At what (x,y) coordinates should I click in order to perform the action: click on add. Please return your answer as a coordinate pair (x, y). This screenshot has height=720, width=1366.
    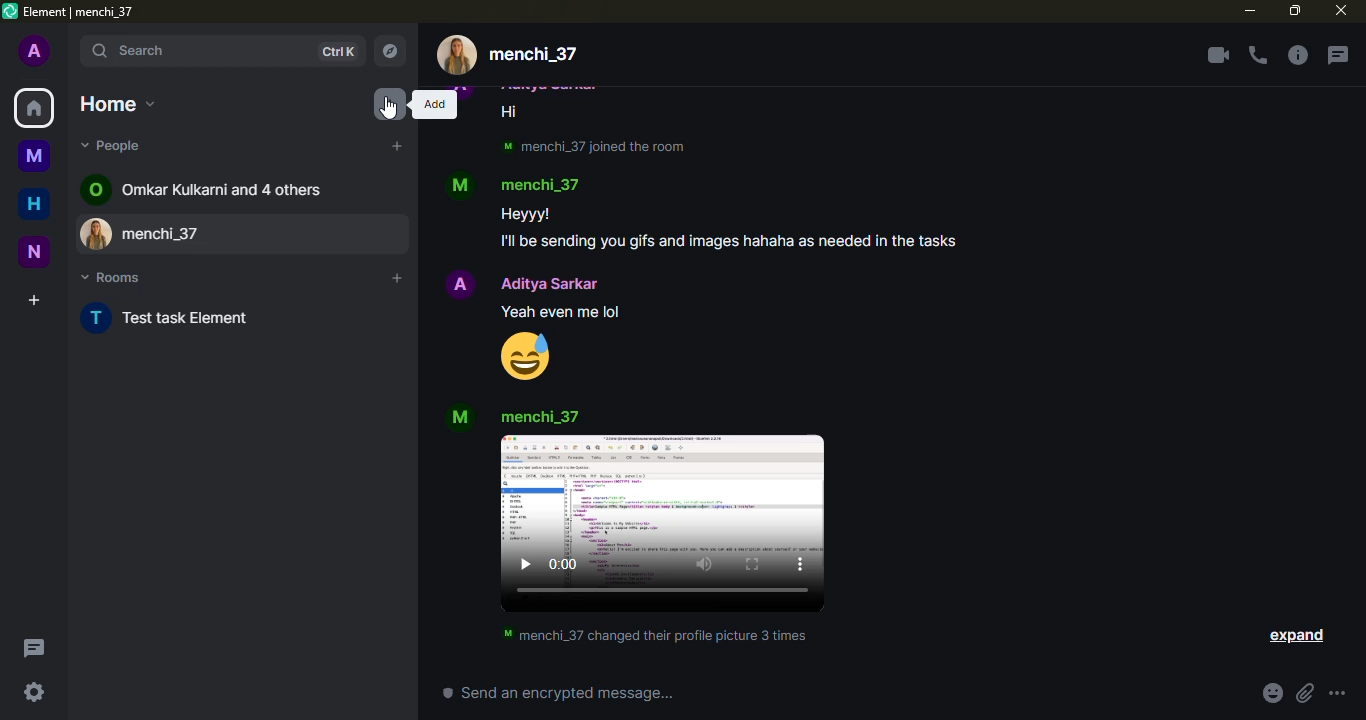
    Looking at the image, I should click on (396, 278).